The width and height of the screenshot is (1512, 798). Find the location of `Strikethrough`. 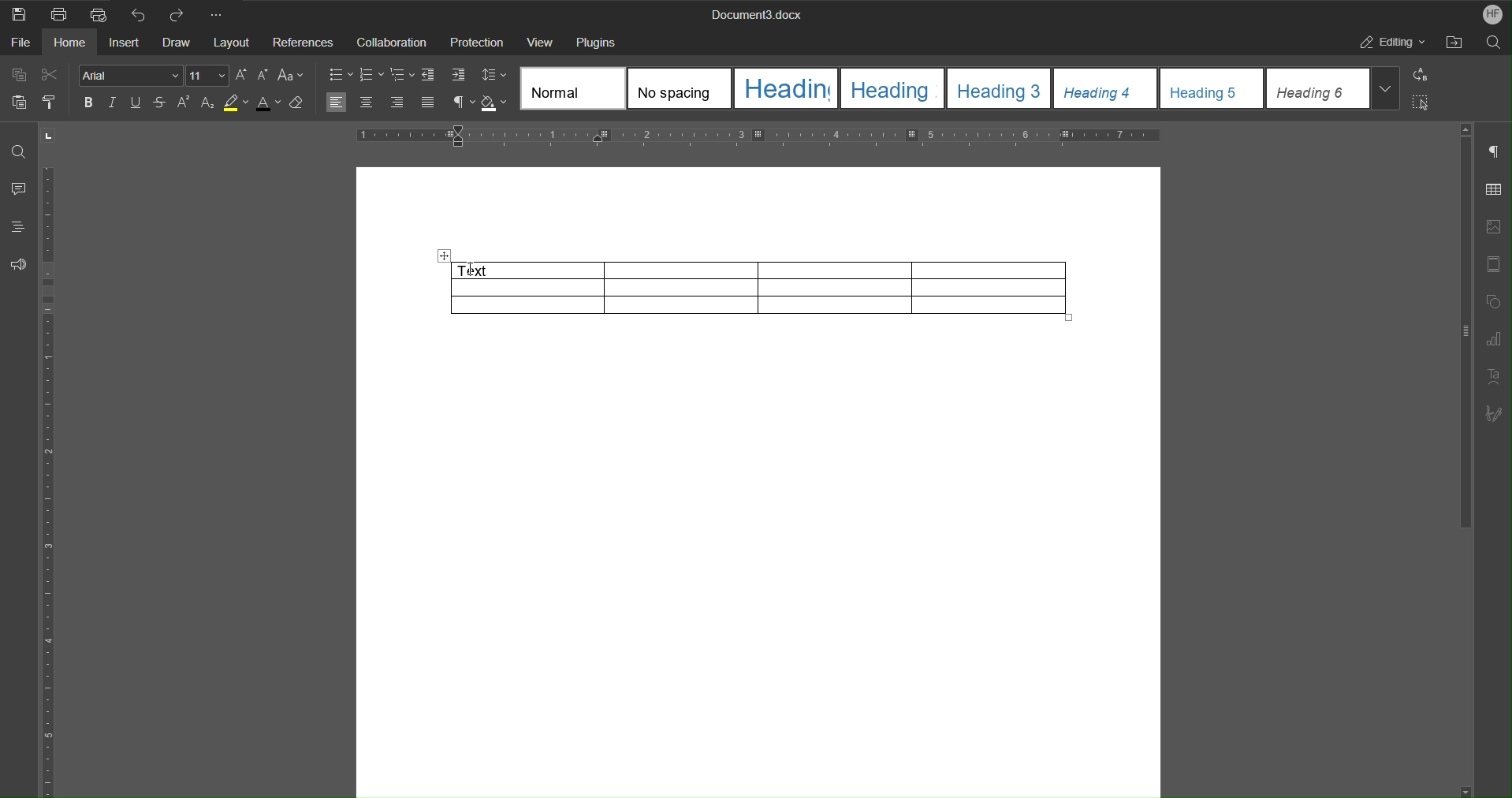

Strikethrough is located at coordinates (158, 103).